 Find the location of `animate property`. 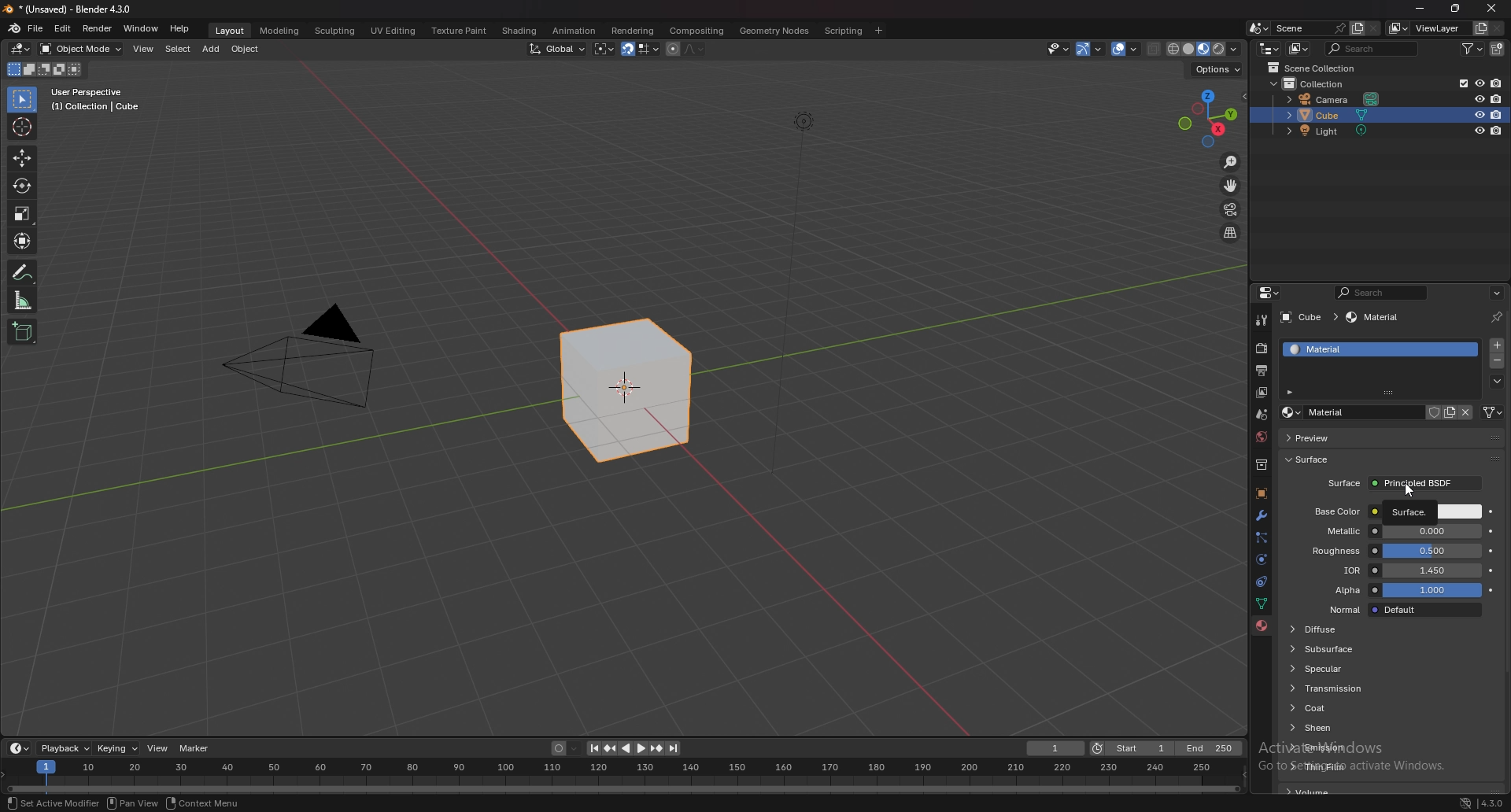

animate property is located at coordinates (1492, 531).